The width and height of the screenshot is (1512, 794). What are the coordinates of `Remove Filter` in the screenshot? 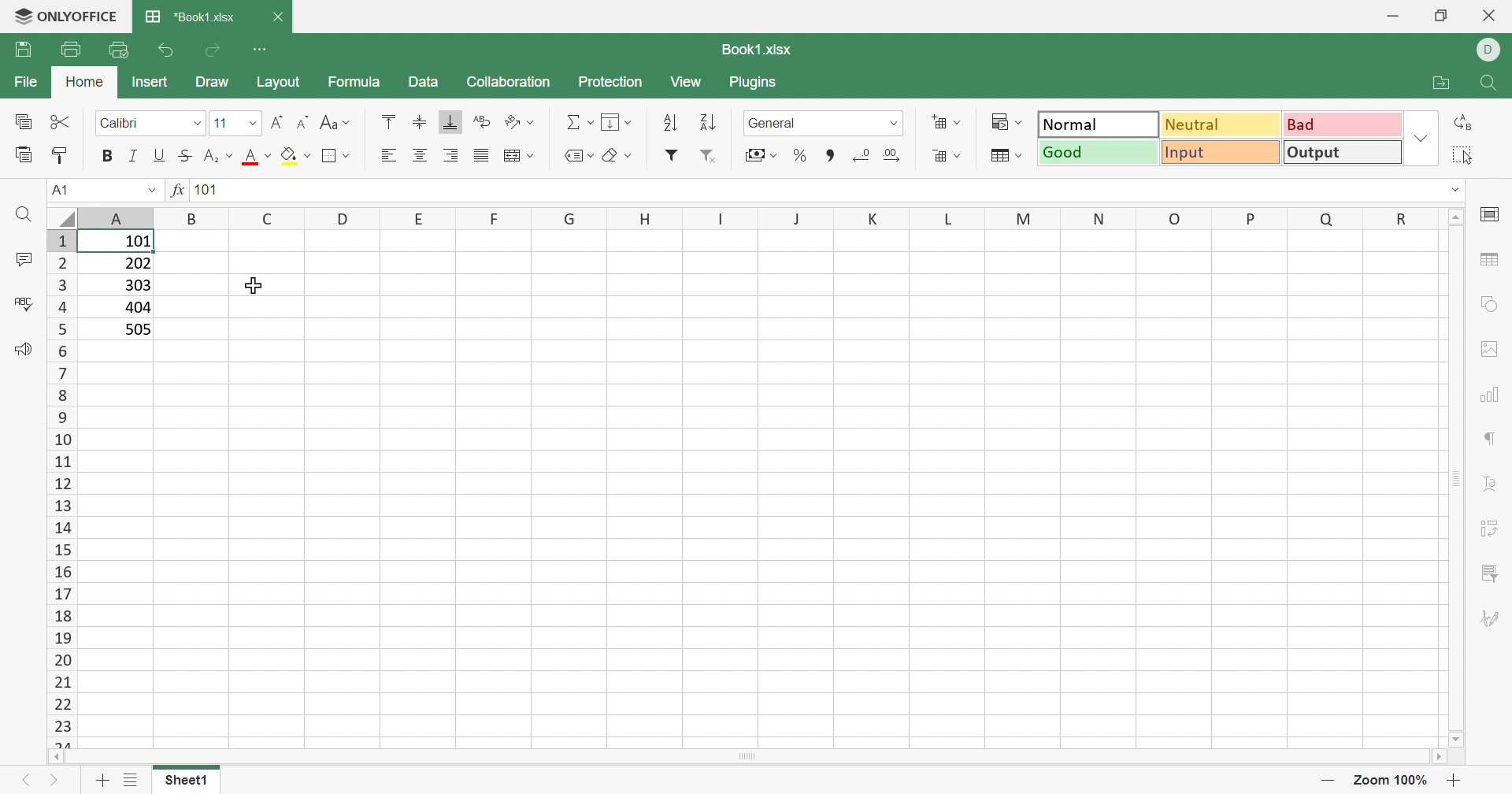 It's located at (708, 157).